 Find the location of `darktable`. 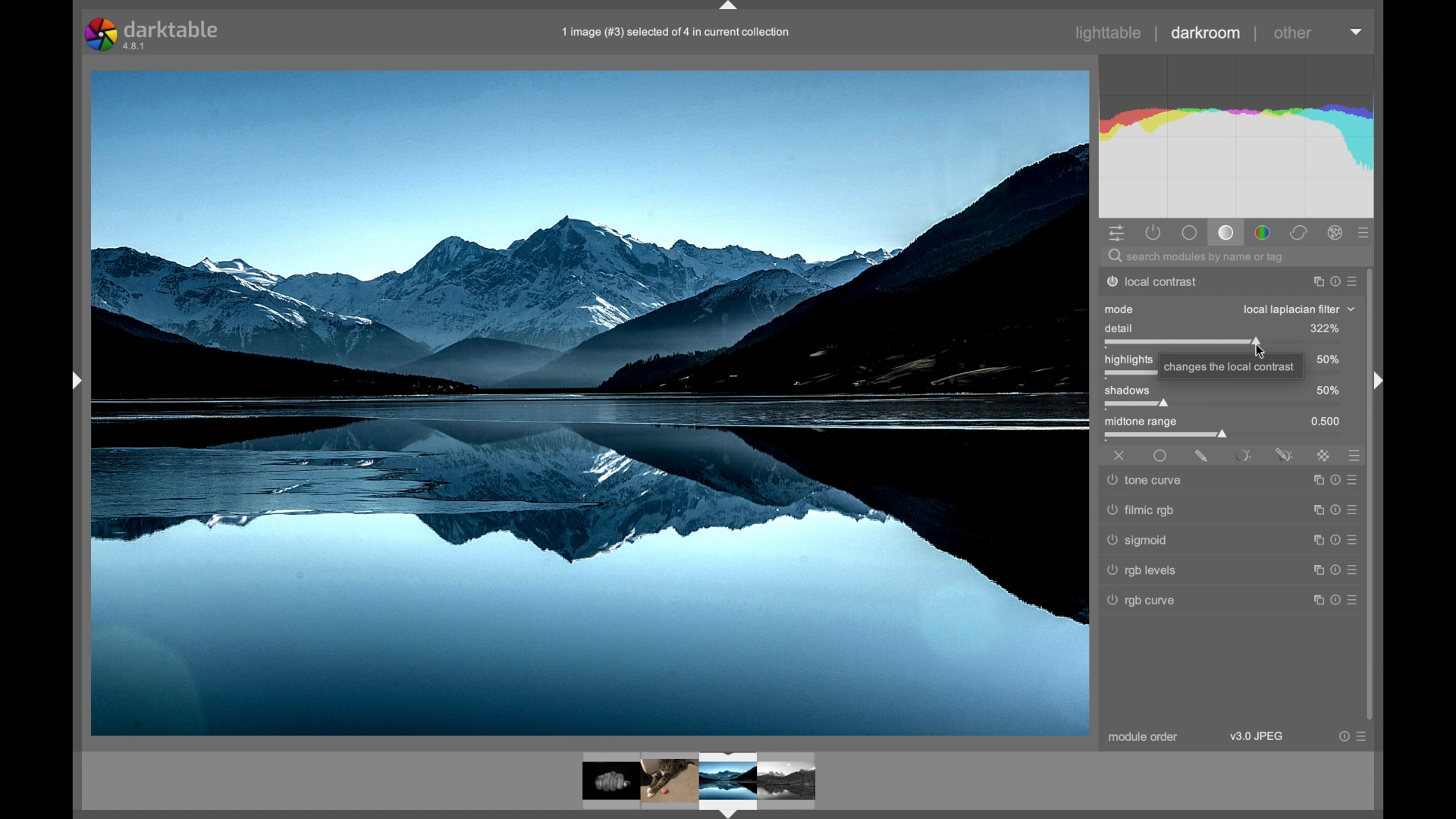

darktable is located at coordinates (154, 34).